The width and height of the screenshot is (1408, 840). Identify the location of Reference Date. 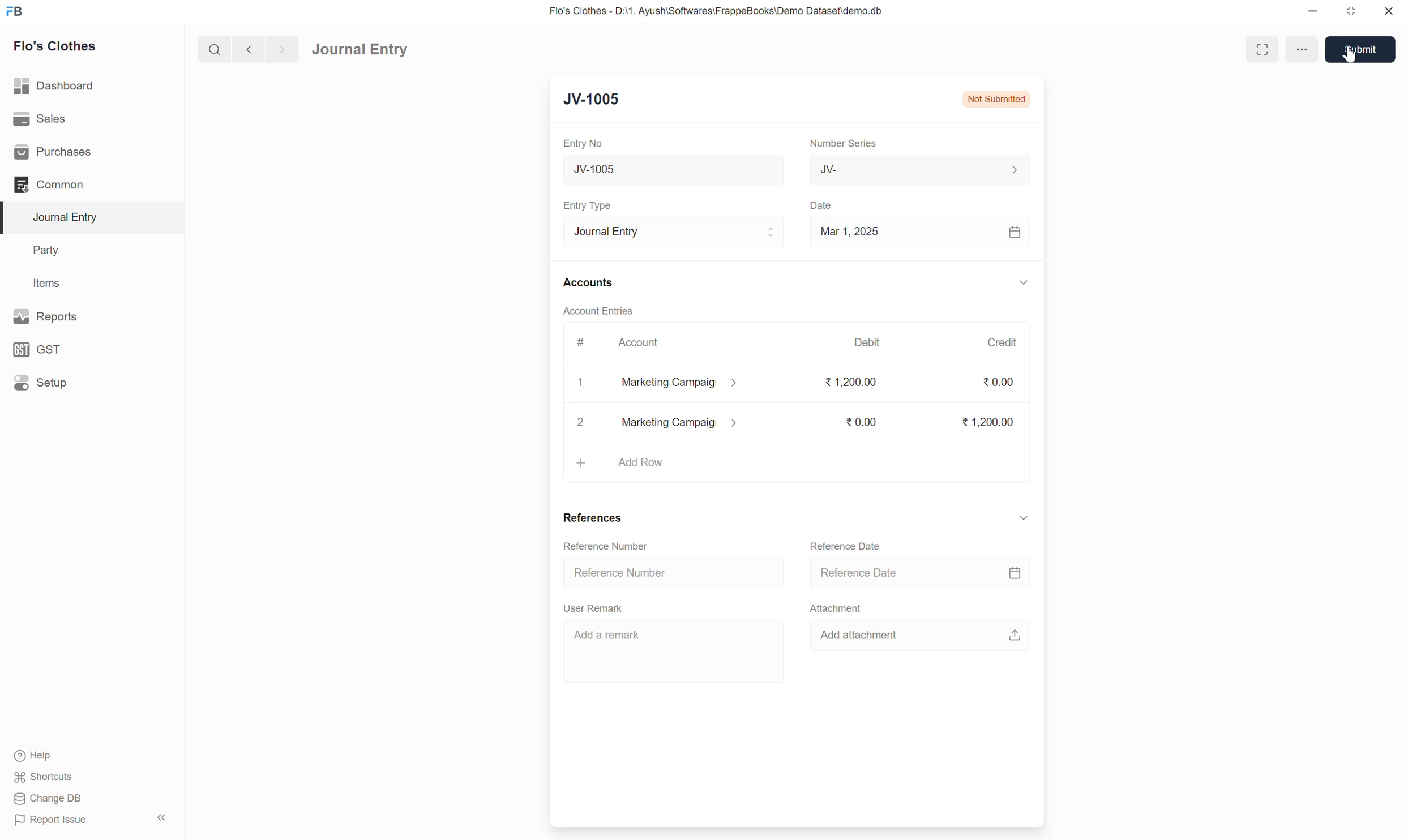
(848, 547).